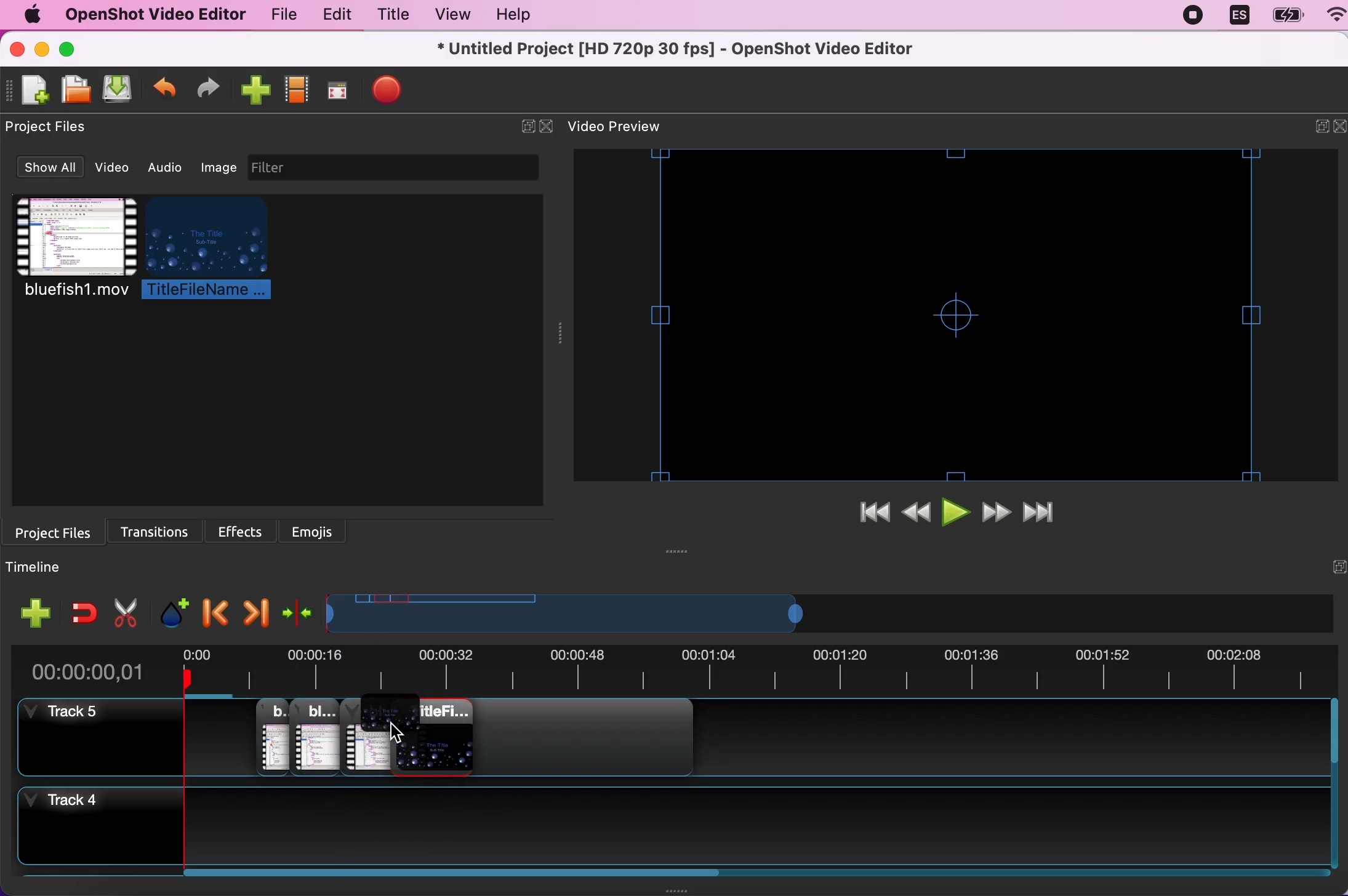  What do you see at coordinates (255, 609) in the screenshot?
I see `next marker` at bounding box center [255, 609].